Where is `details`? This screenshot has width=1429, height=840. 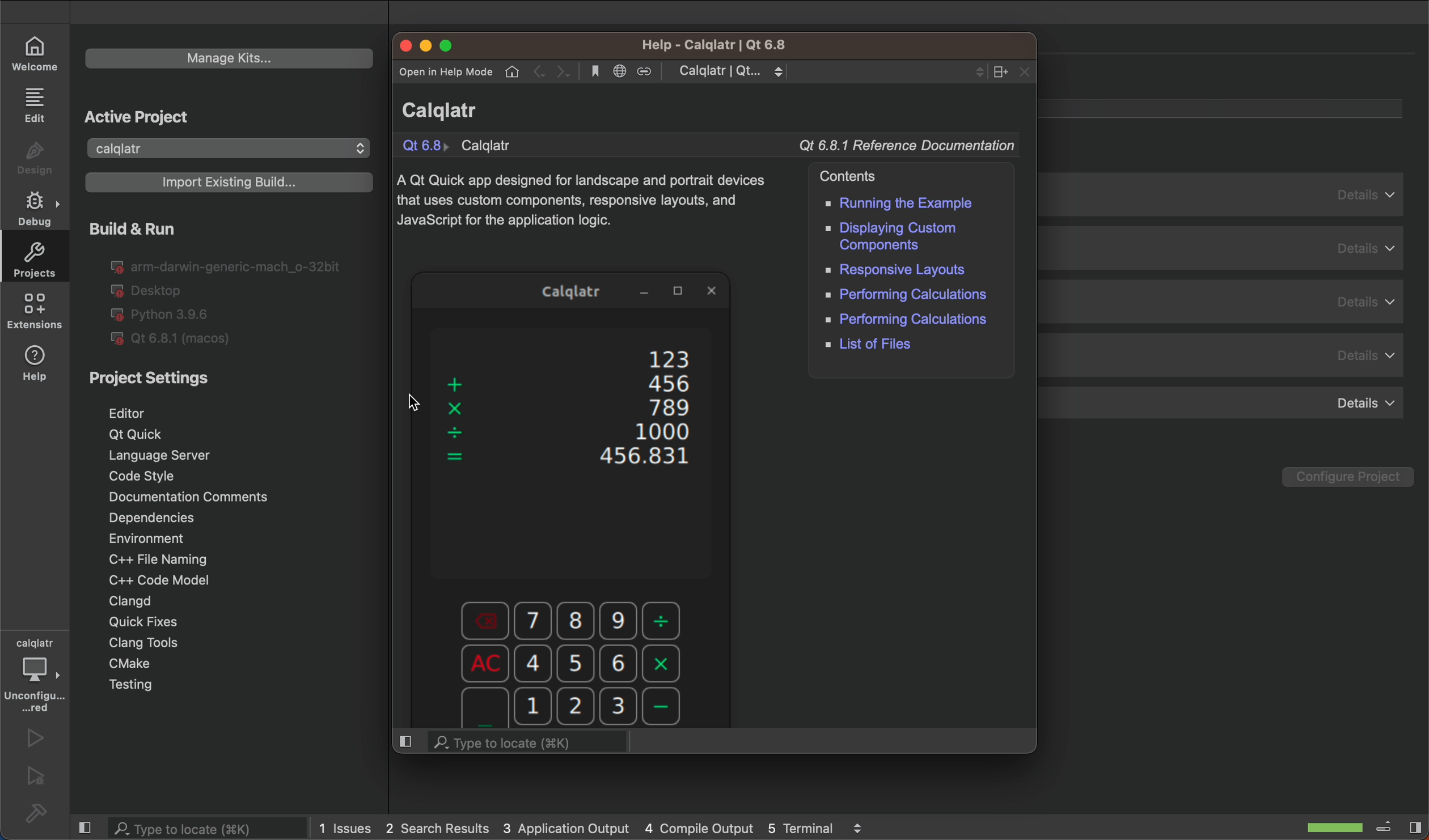 details is located at coordinates (1226, 404).